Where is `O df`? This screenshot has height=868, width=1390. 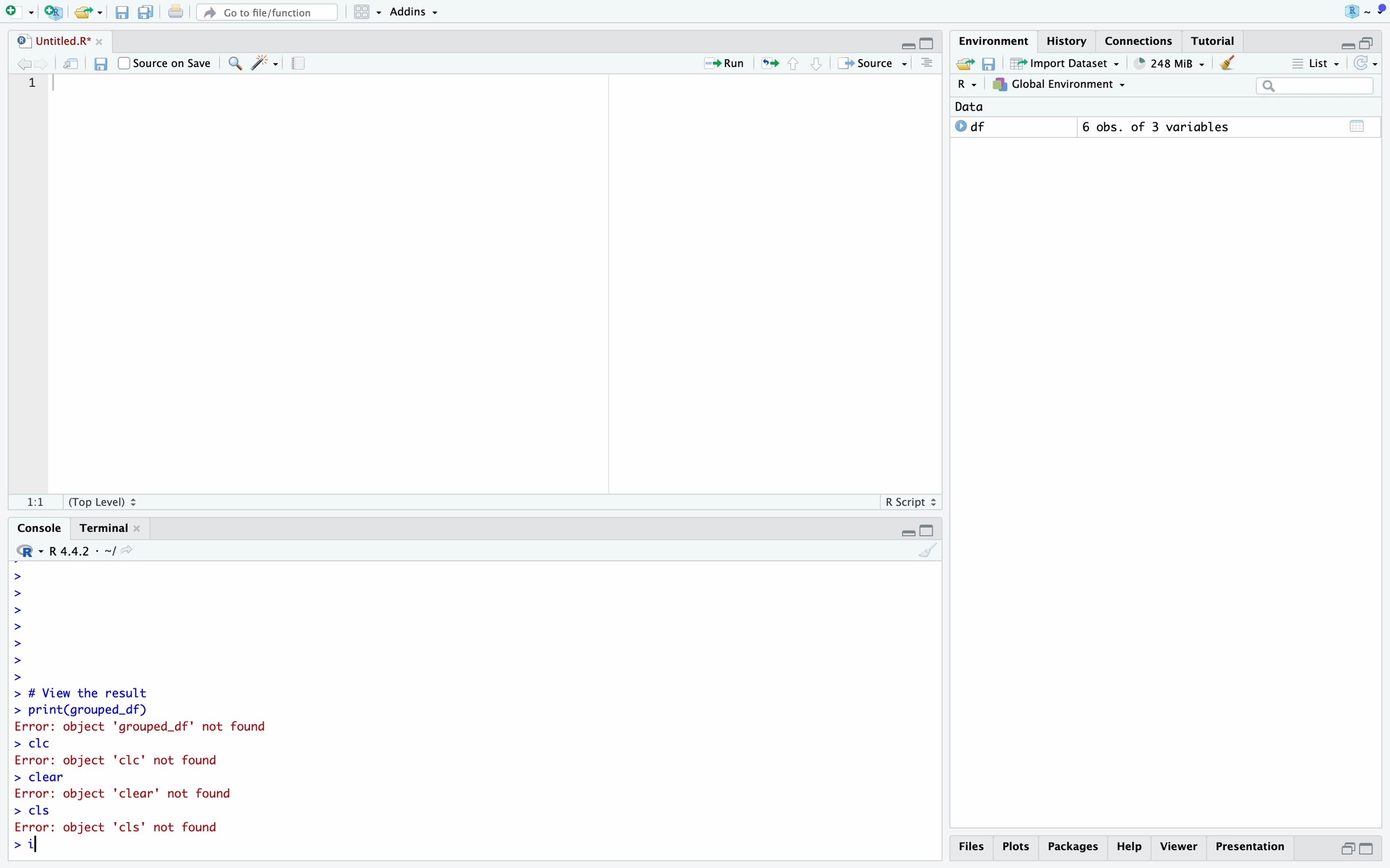
O df is located at coordinates (1013, 127).